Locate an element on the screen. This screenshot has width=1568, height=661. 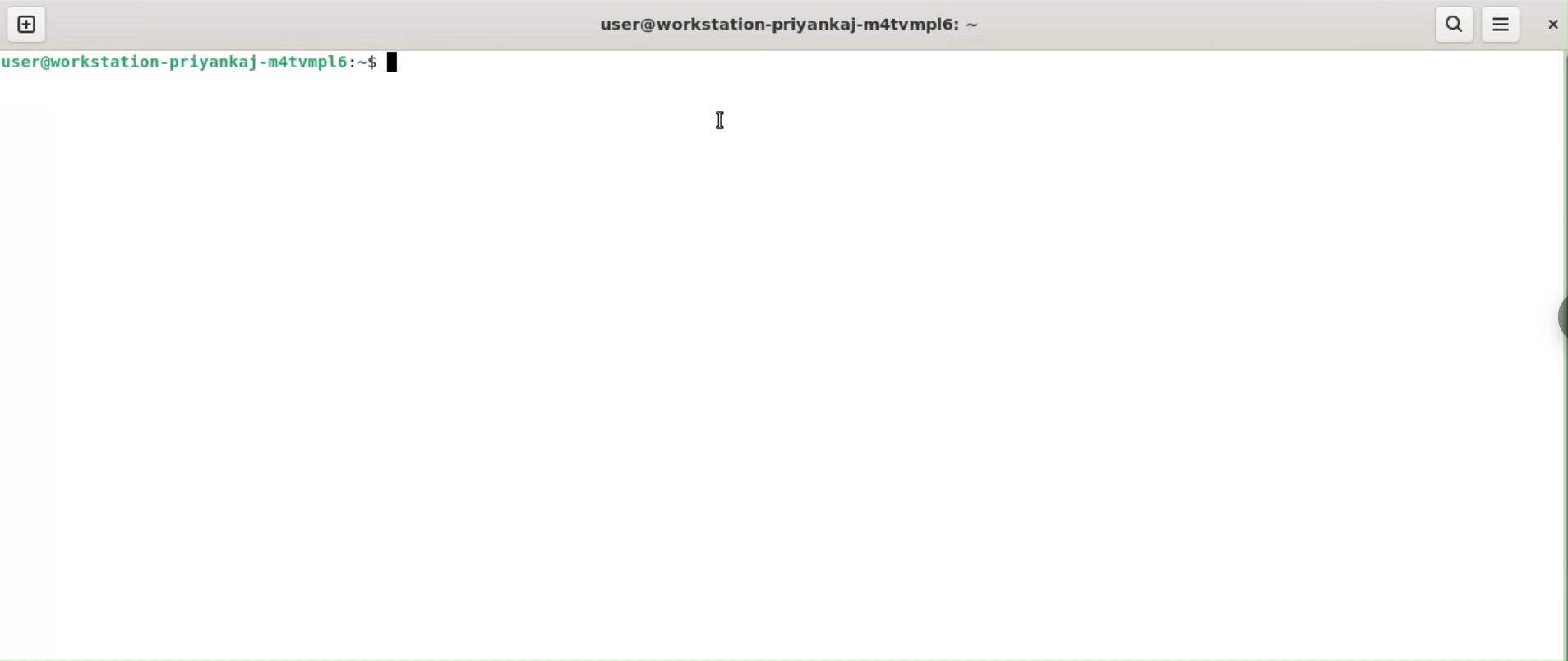
user@workstation-priyankaj-m4tvmpl6:~$ is located at coordinates (197, 62).